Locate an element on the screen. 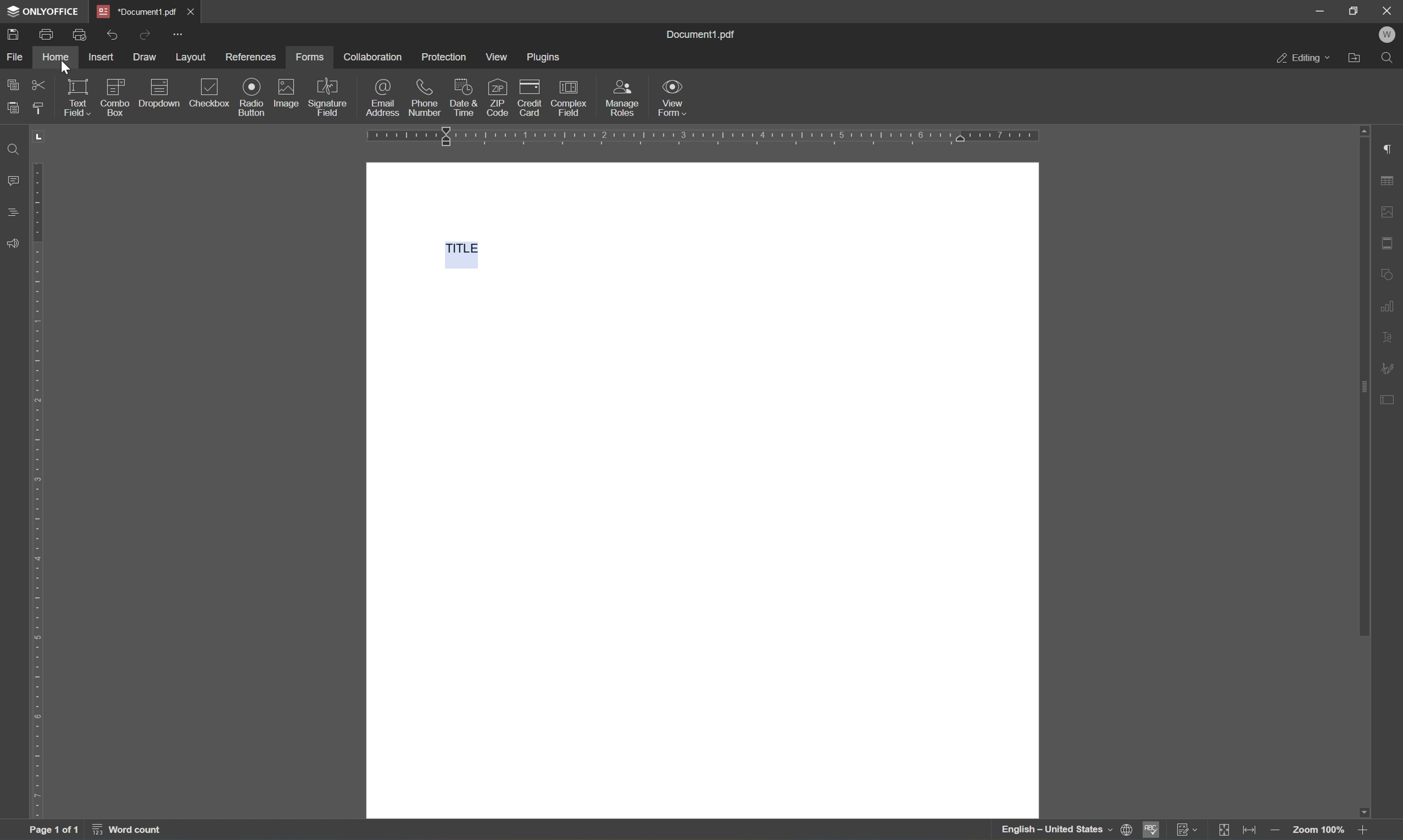  protection is located at coordinates (444, 57).